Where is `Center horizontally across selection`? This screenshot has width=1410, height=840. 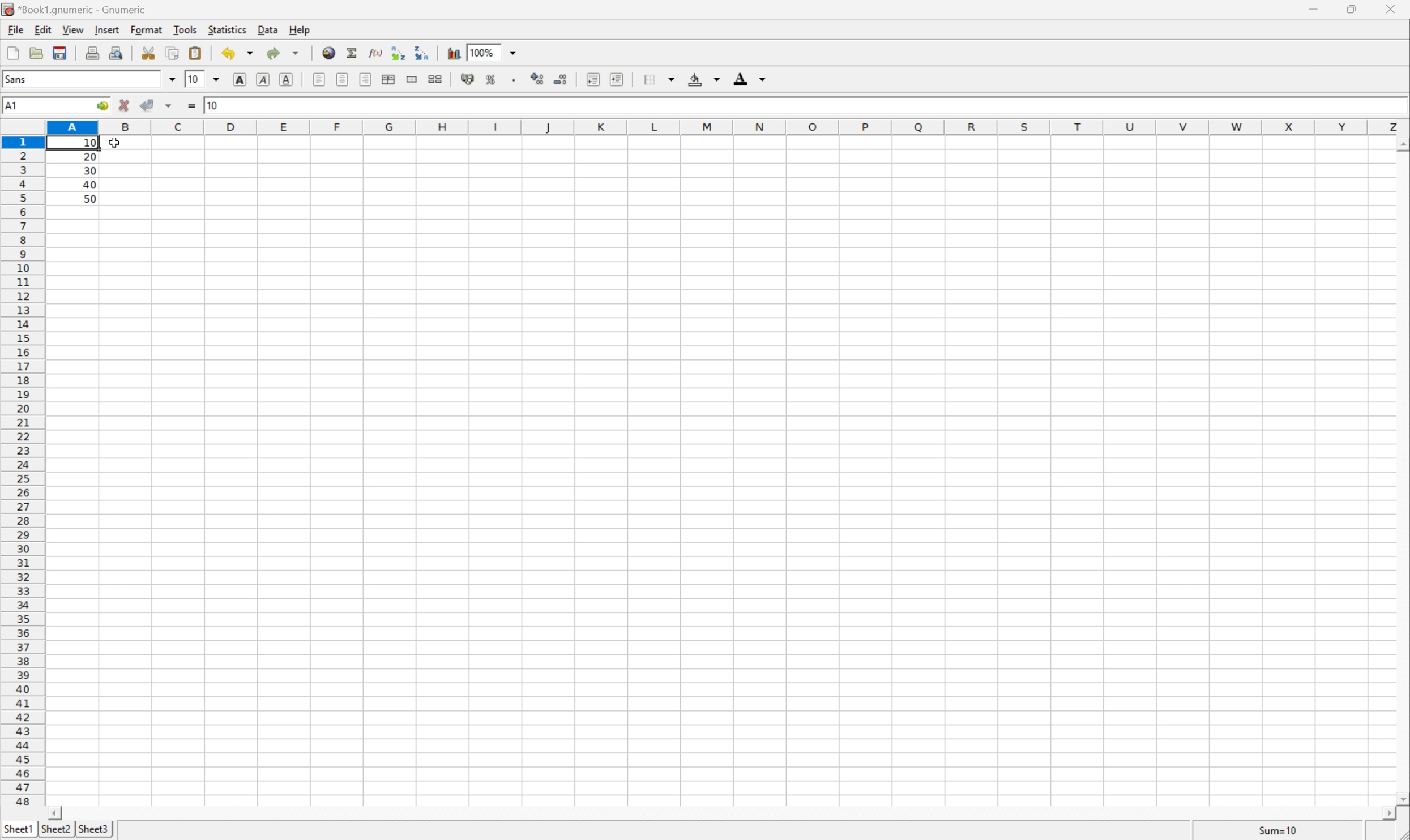 Center horizontally across selection is located at coordinates (389, 80).